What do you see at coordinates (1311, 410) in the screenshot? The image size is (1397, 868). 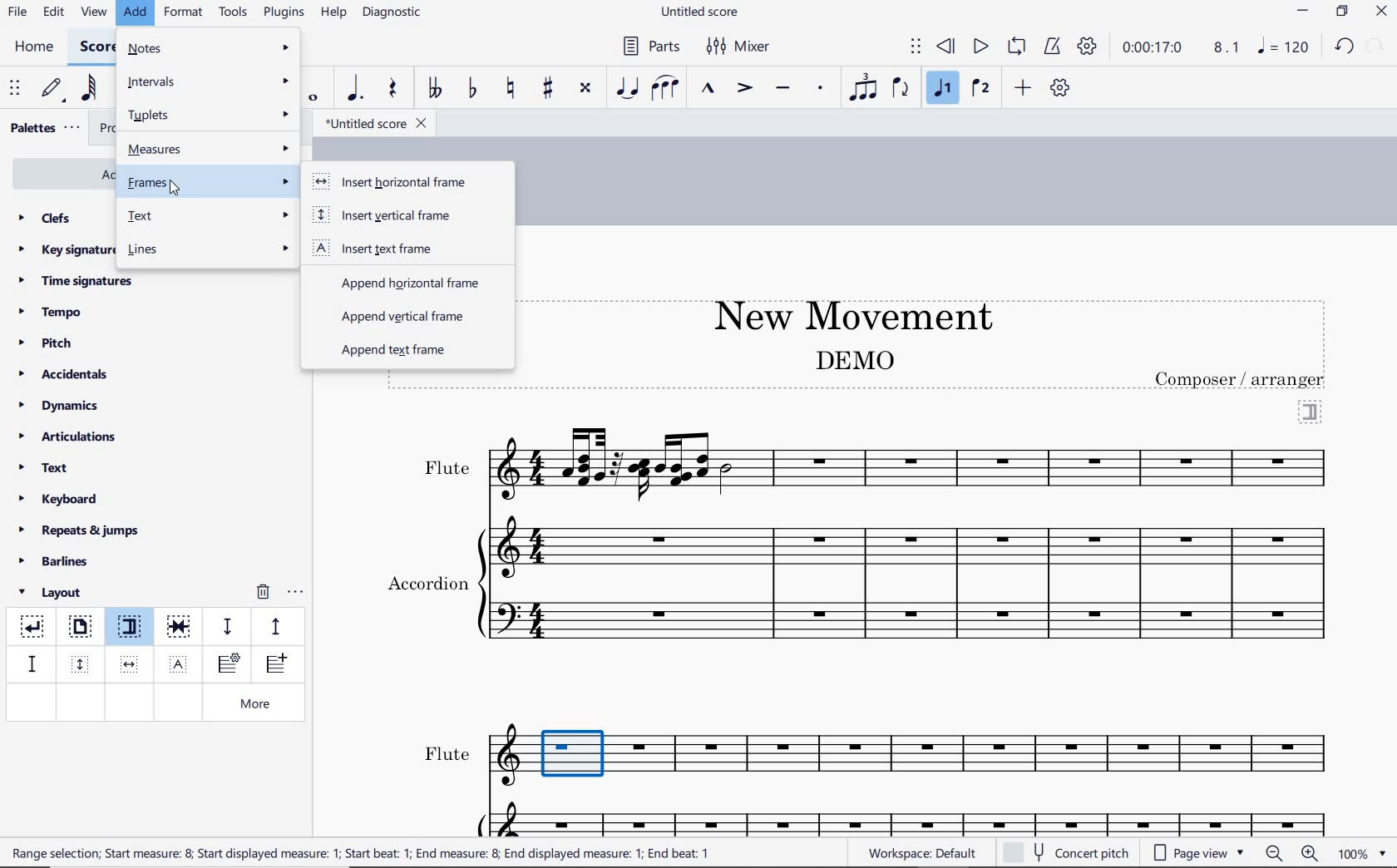 I see `section break` at bounding box center [1311, 410].